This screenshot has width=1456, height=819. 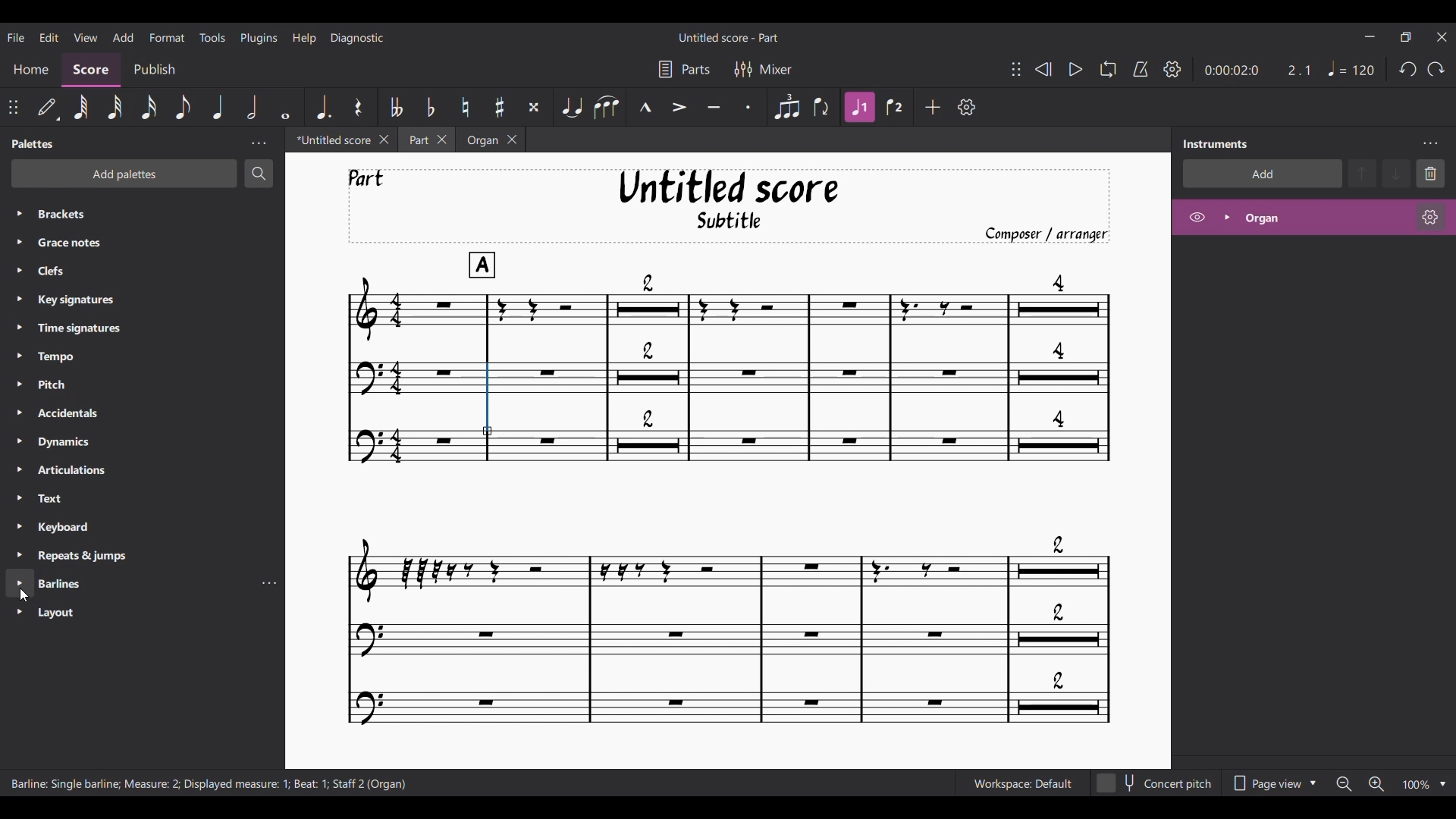 I want to click on Show interface in a smaller tab, so click(x=1406, y=36).